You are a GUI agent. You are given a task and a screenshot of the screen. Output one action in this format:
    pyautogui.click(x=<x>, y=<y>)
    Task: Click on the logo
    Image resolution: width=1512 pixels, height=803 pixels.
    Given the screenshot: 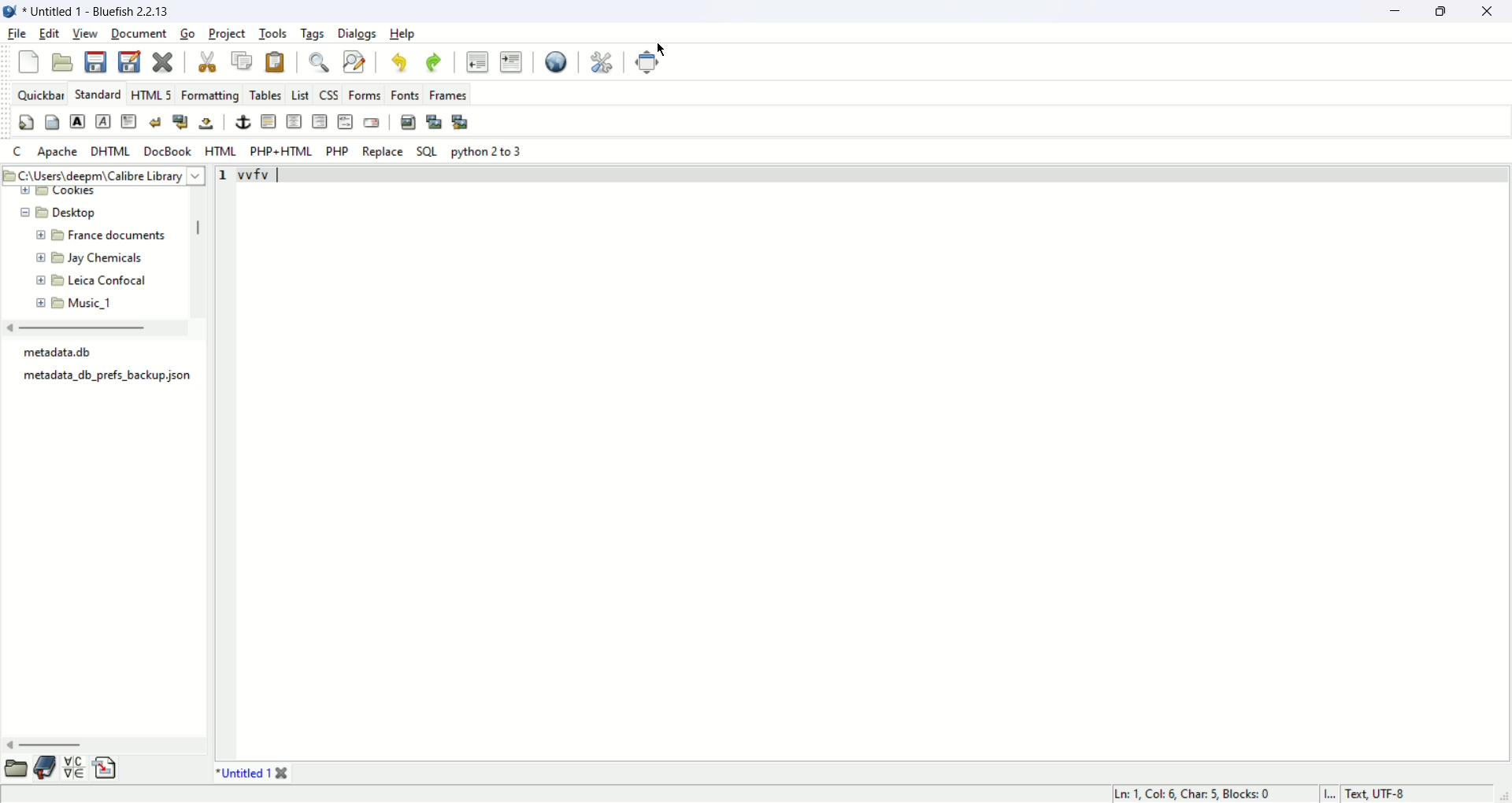 What is the action you would take?
    pyautogui.click(x=9, y=12)
    